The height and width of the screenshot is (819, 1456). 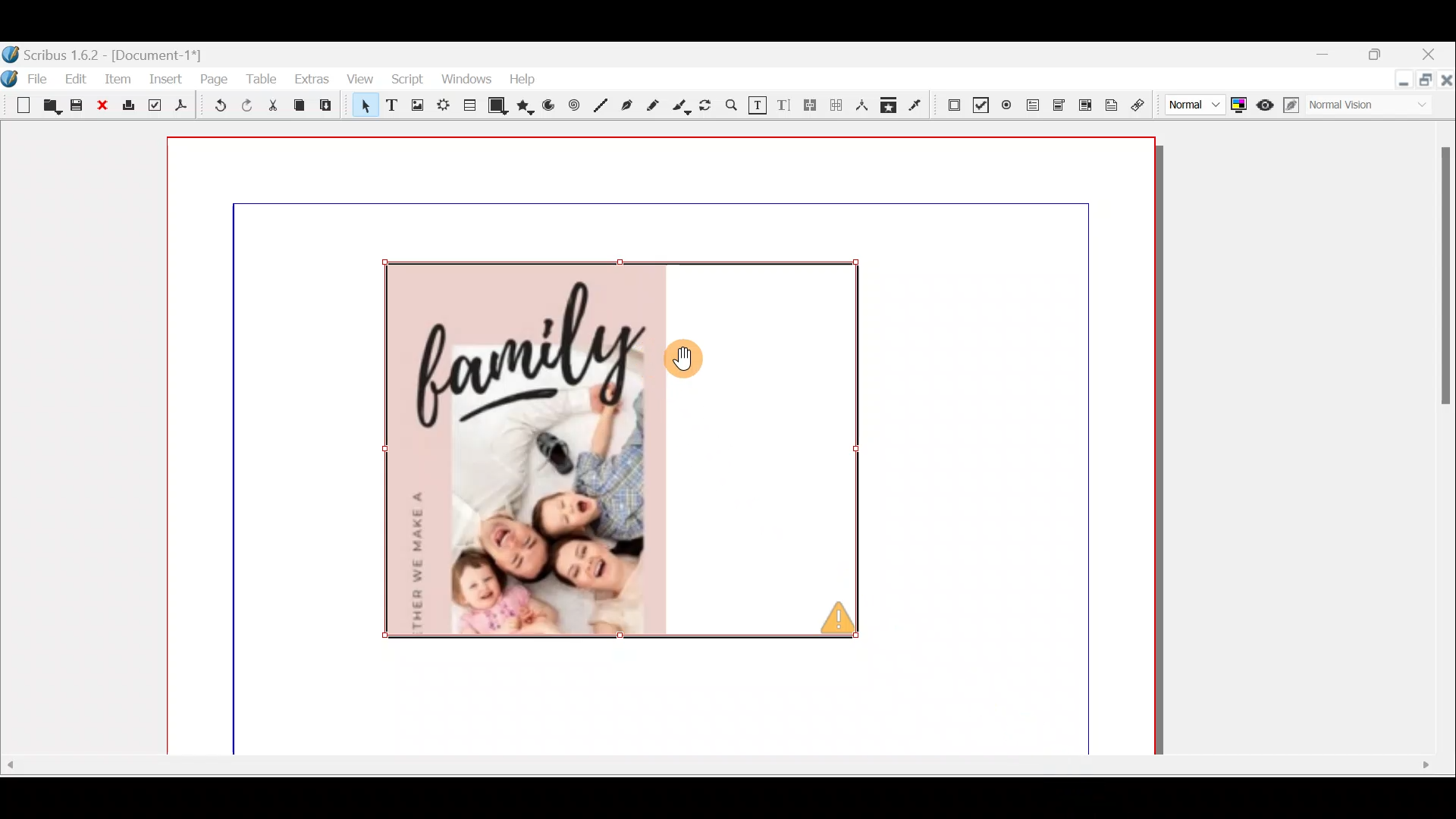 What do you see at coordinates (42, 77) in the screenshot?
I see `File` at bounding box center [42, 77].